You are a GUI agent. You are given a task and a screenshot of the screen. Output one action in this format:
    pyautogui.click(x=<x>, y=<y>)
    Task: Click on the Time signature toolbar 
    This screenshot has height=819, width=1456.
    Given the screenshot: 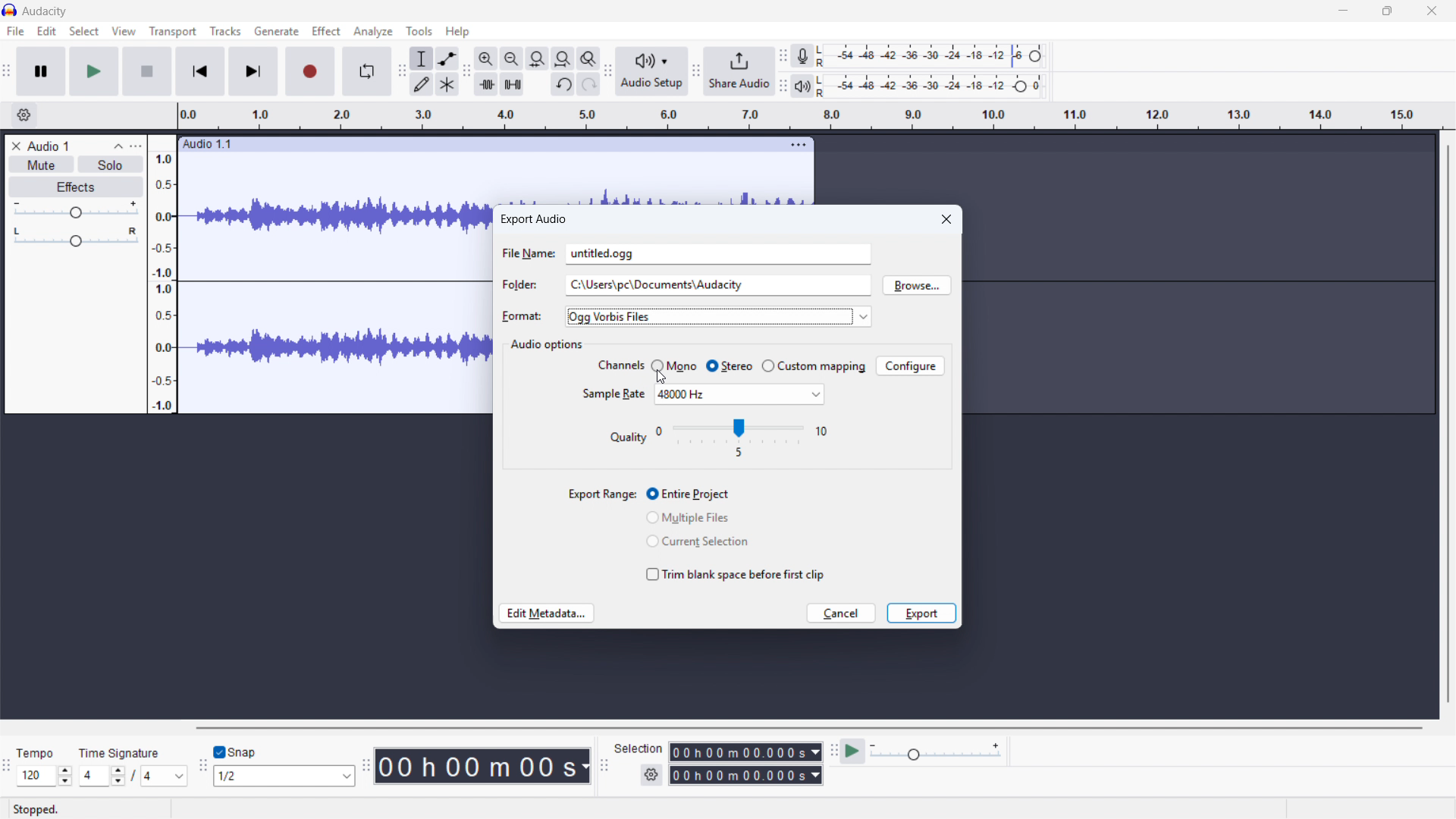 What is the action you would take?
    pyautogui.click(x=7, y=768)
    